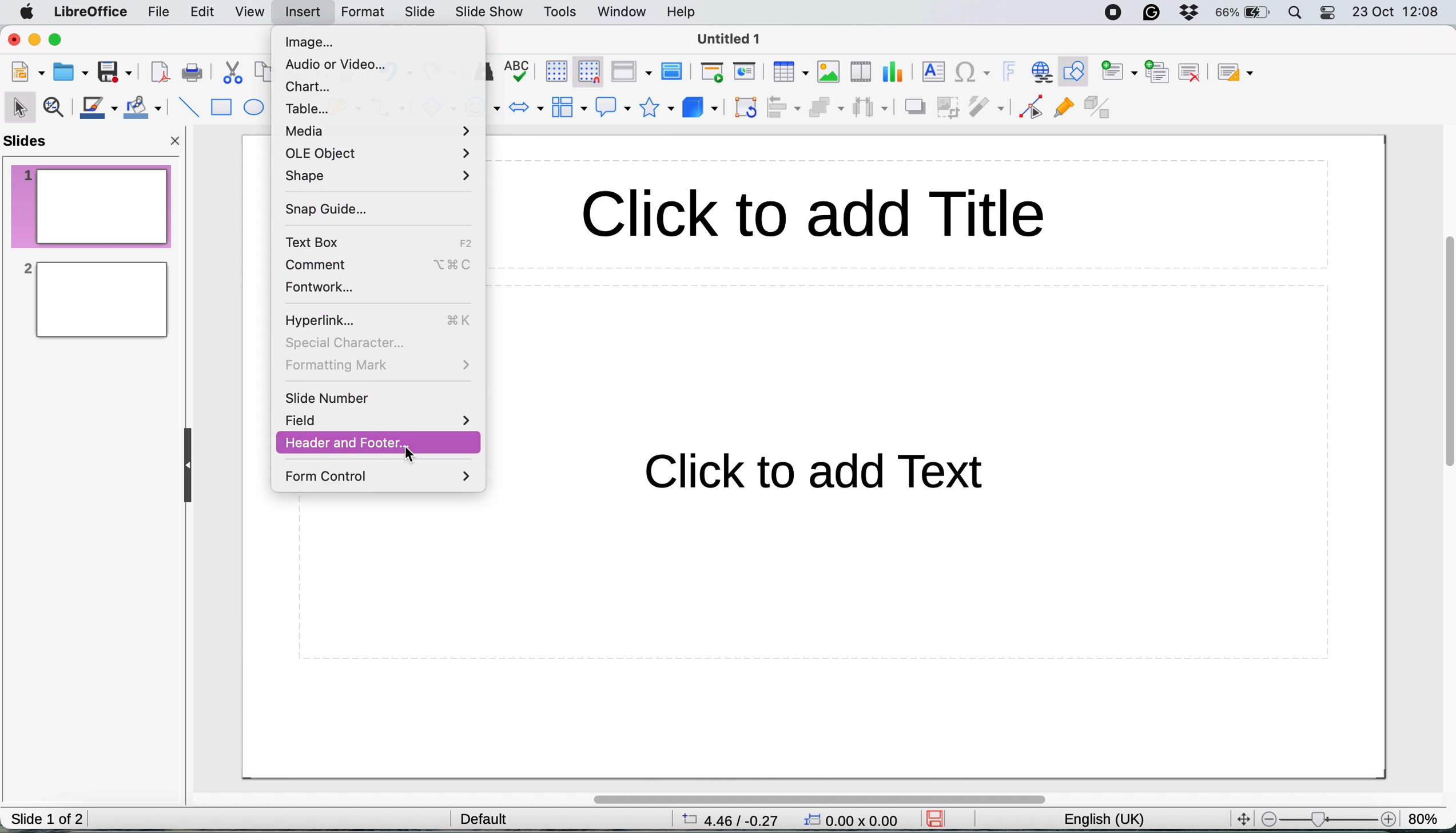  I want to click on format, so click(365, 13).